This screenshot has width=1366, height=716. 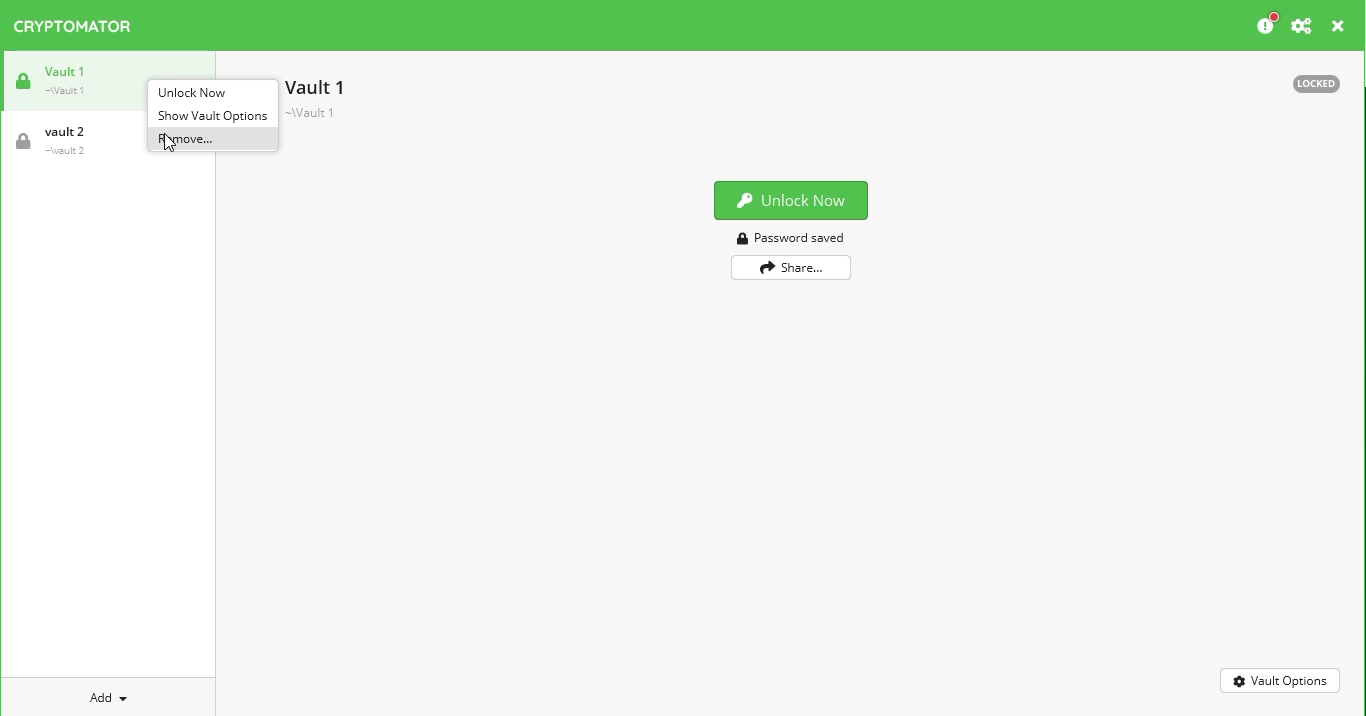 What do you see at coordinates (318, 98) in the screenshot?
I see `vault 1` at bounding box center [318, 98].